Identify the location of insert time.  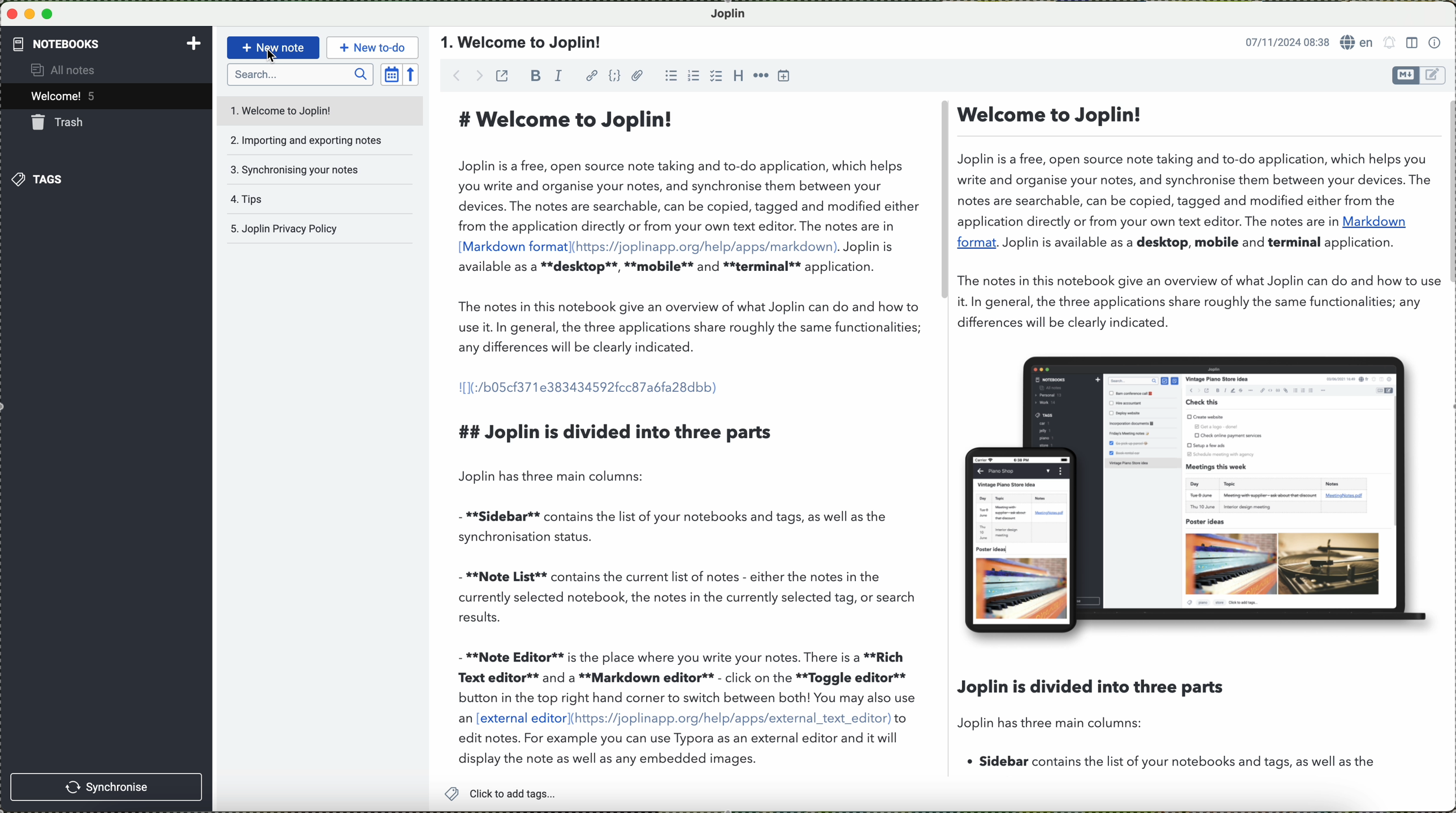
(785, 77).